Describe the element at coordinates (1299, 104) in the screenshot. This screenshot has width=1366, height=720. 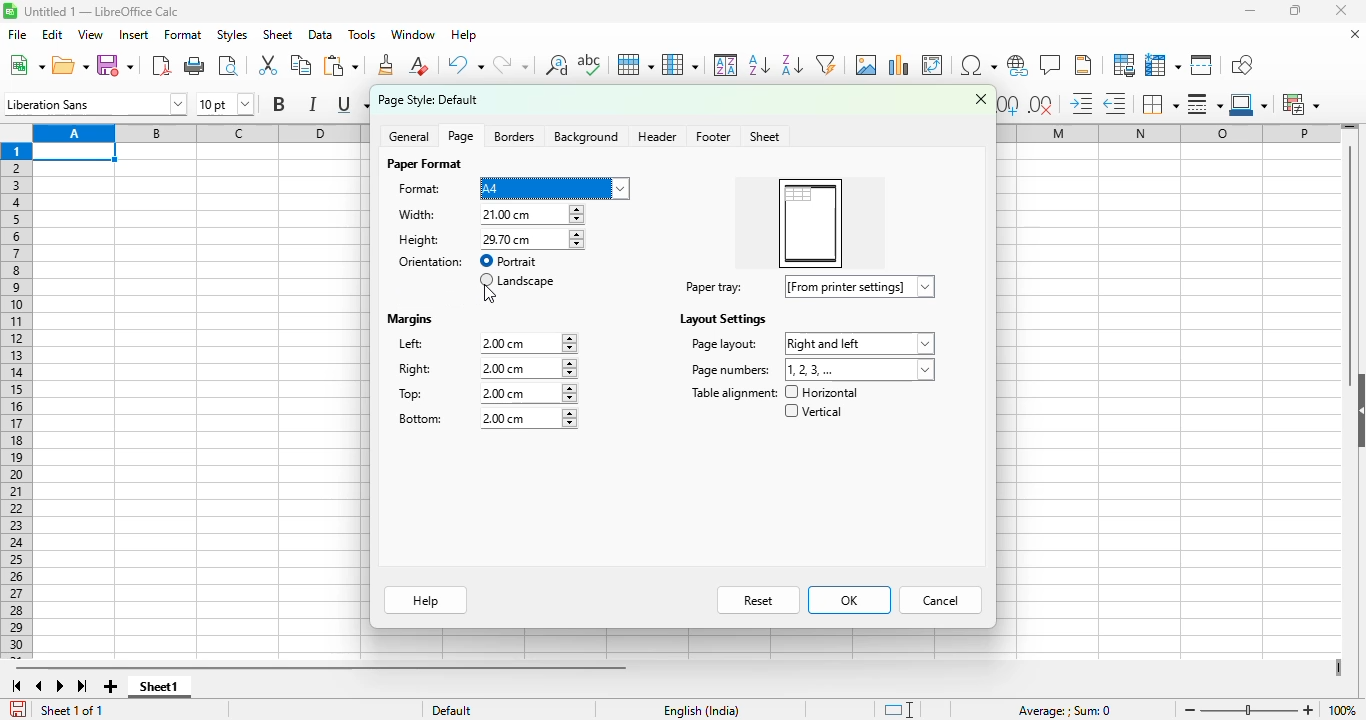
I see `conditional` at that location.